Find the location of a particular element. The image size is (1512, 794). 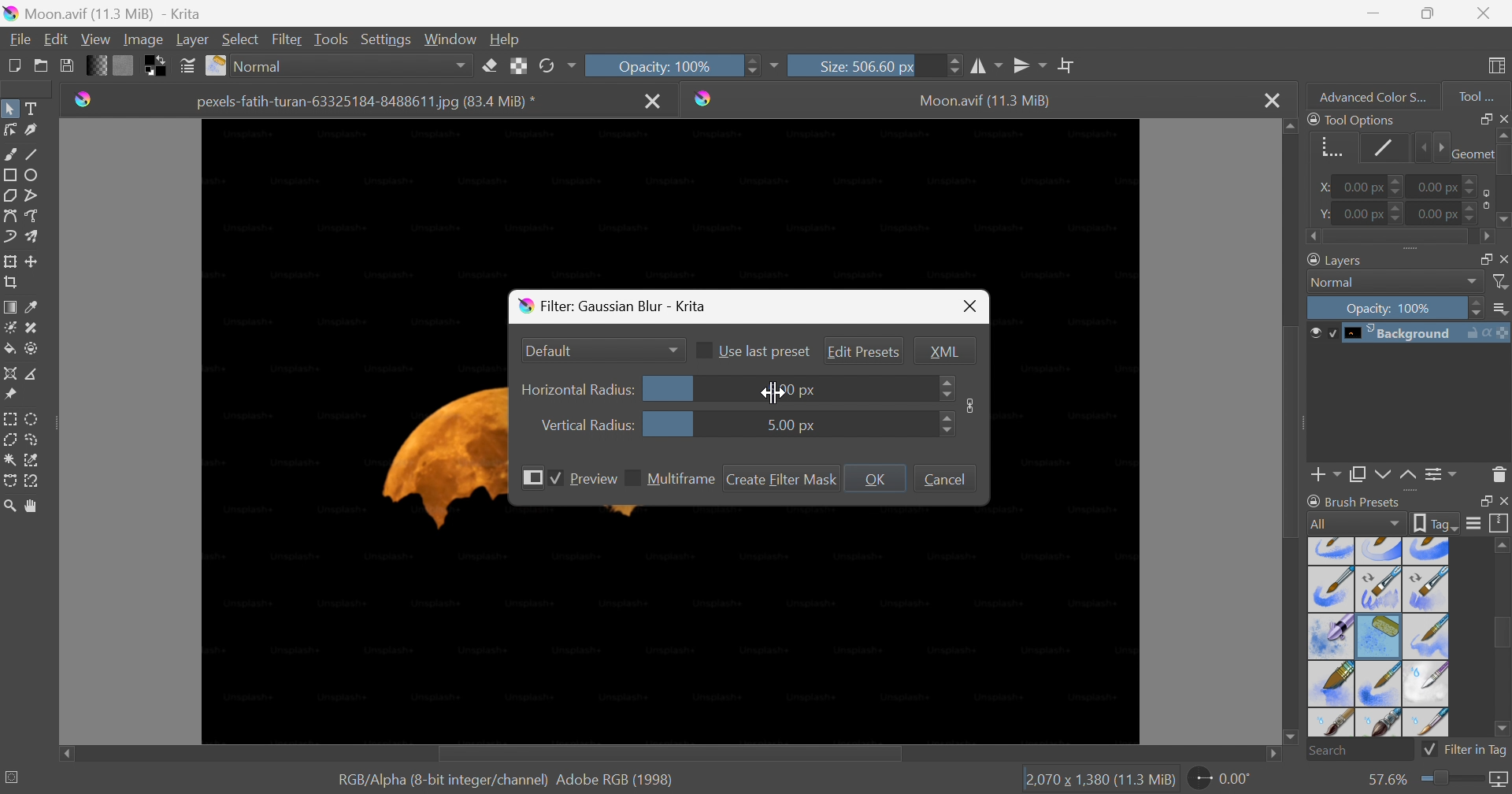

Multibrush tool is located at coordinates (34, 236).